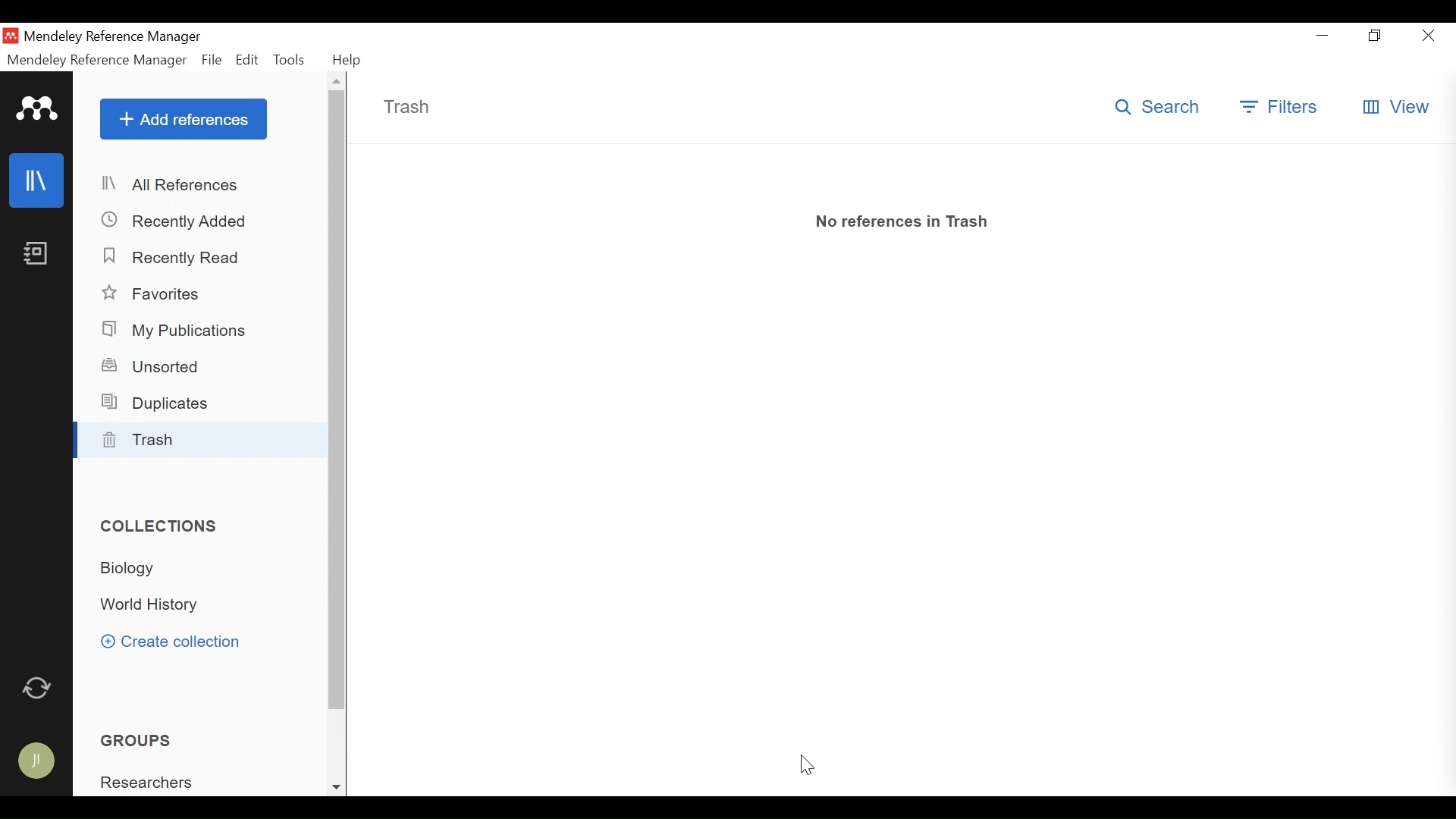 This screenshot has height=819, width=1456. I want to click on Filters, so click(1278, 108).